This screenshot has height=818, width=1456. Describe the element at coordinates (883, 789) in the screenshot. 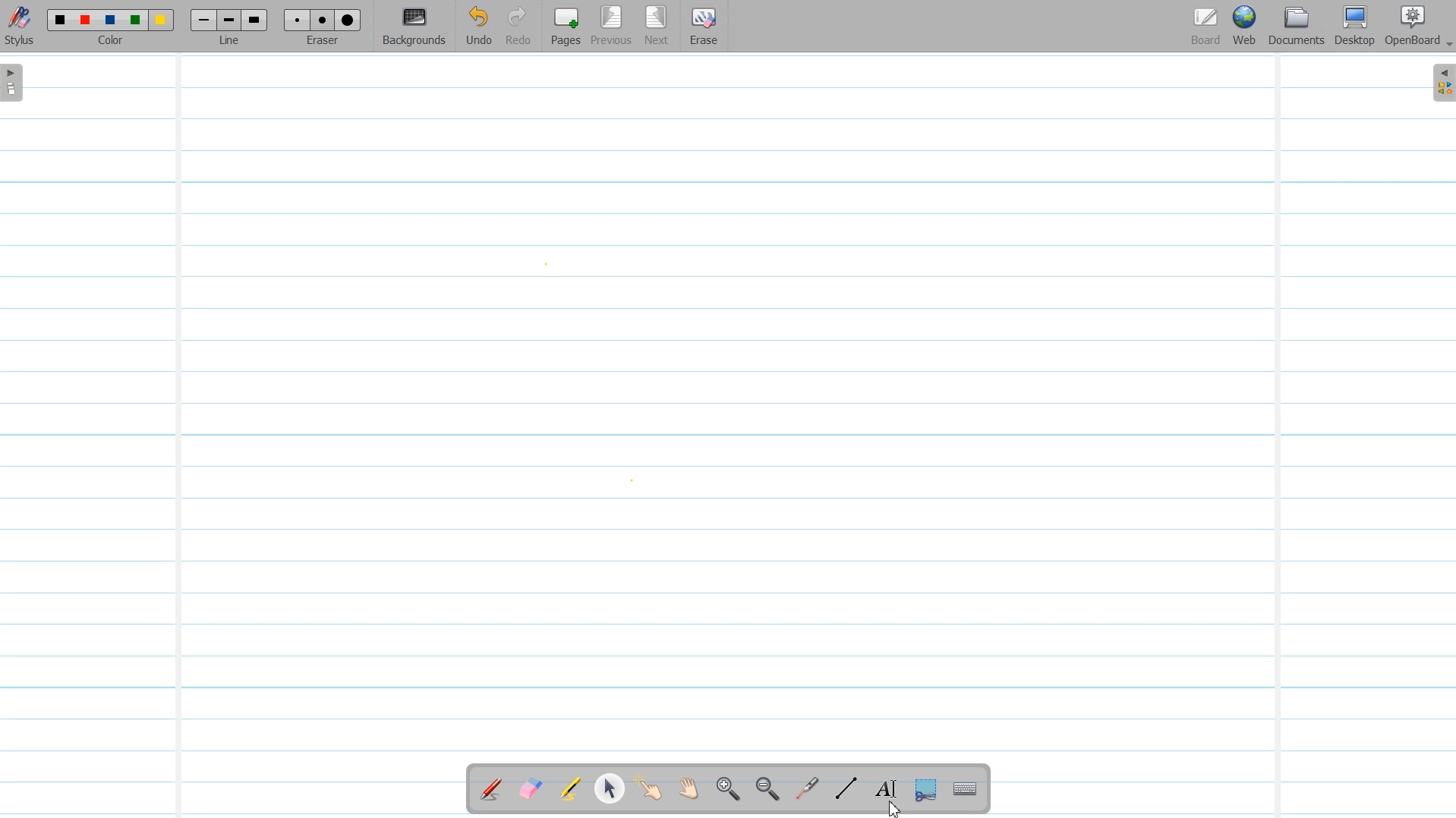

I see `Text Tool` at that location.